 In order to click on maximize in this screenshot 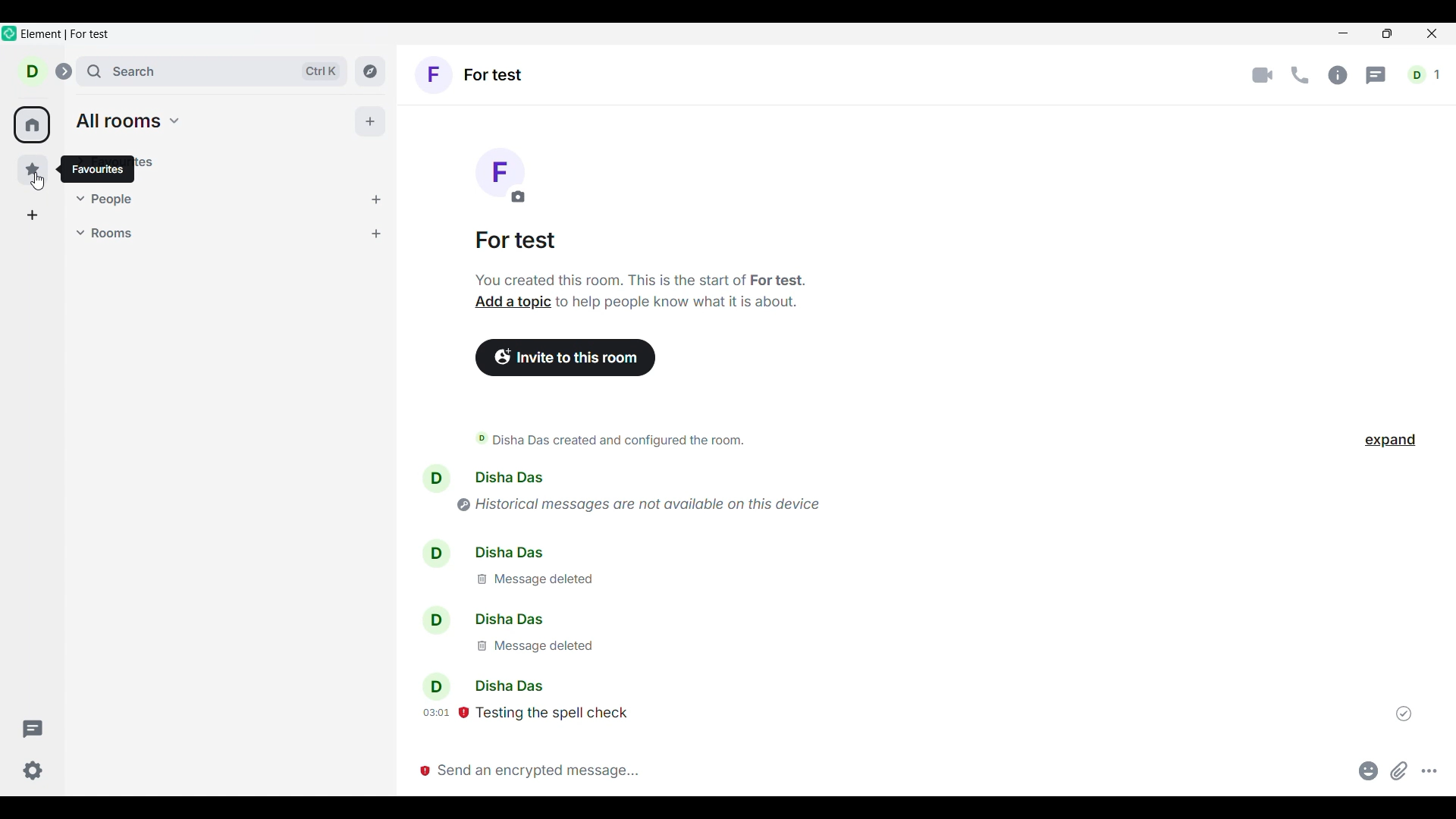, I will do `click(1385, 36)`.